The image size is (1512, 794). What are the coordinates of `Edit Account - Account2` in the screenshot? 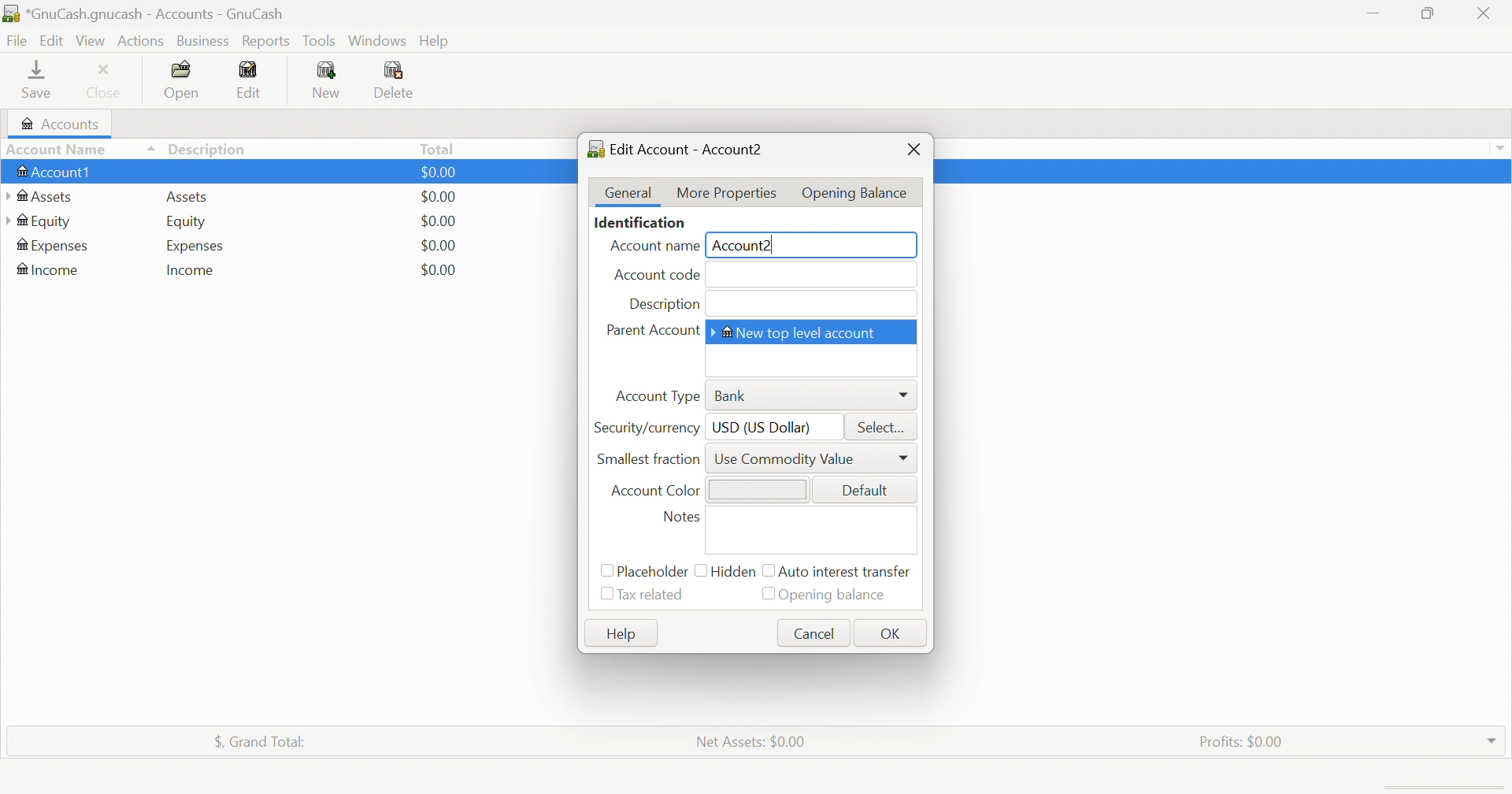 It's located at (673, 149).